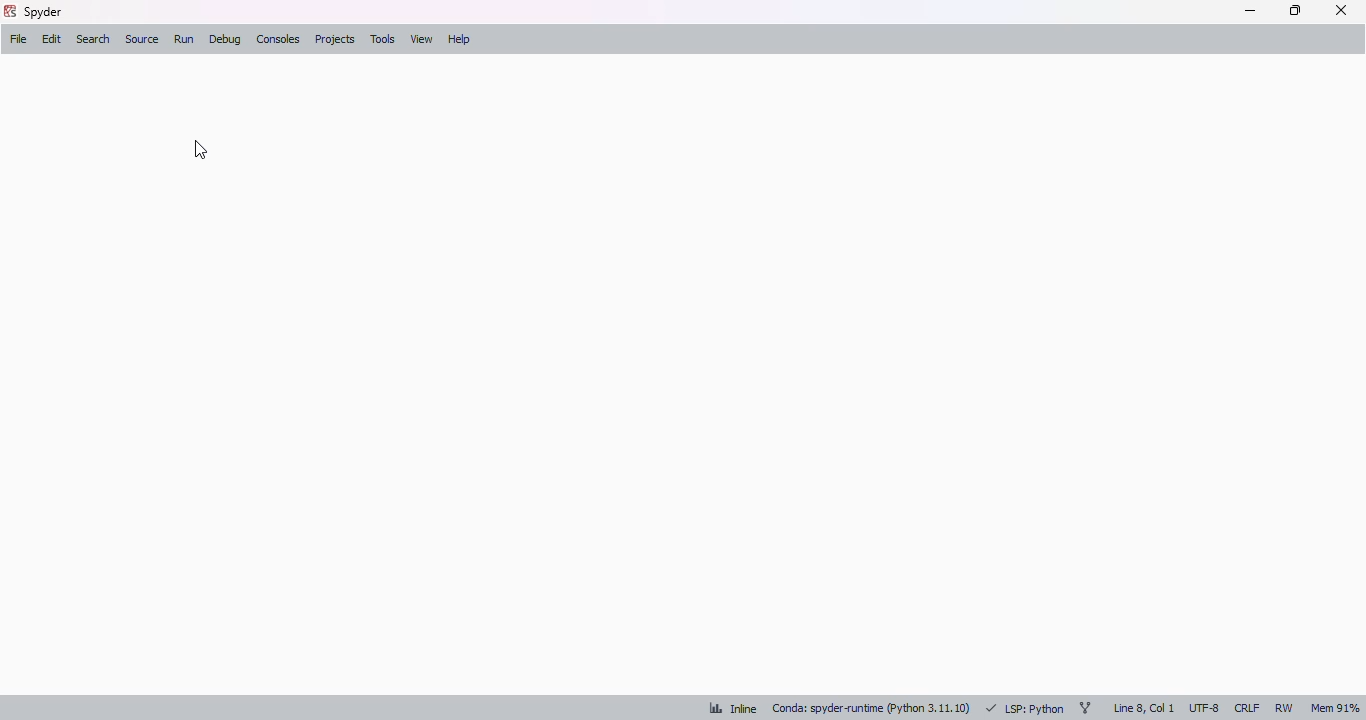  Describe the element at coordinates (9, 11) in the screenshot. I see `logo` at that location.